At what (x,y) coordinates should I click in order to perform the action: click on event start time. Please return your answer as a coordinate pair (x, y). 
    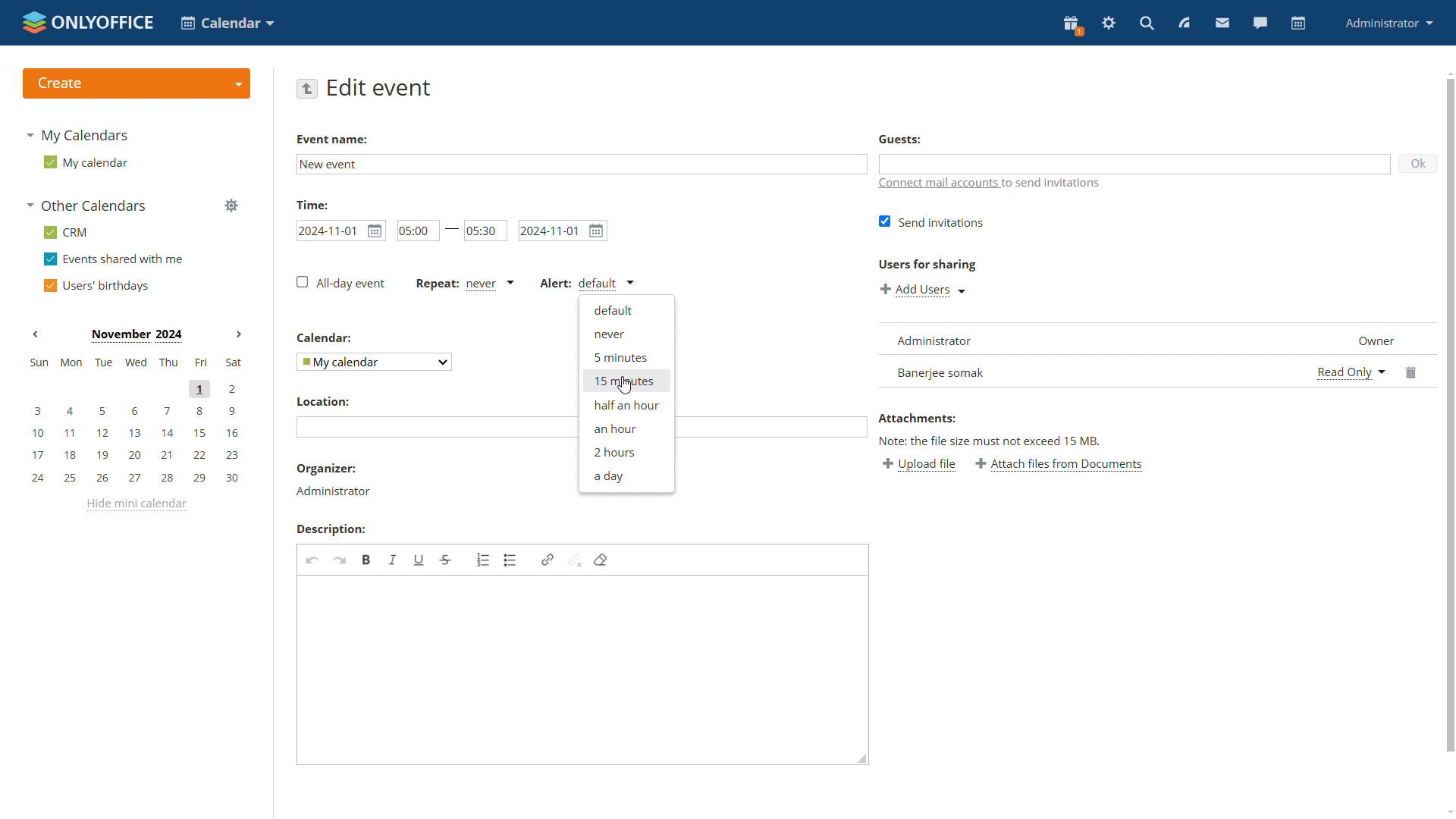
    Looking at the image, I should click on (340, 229).